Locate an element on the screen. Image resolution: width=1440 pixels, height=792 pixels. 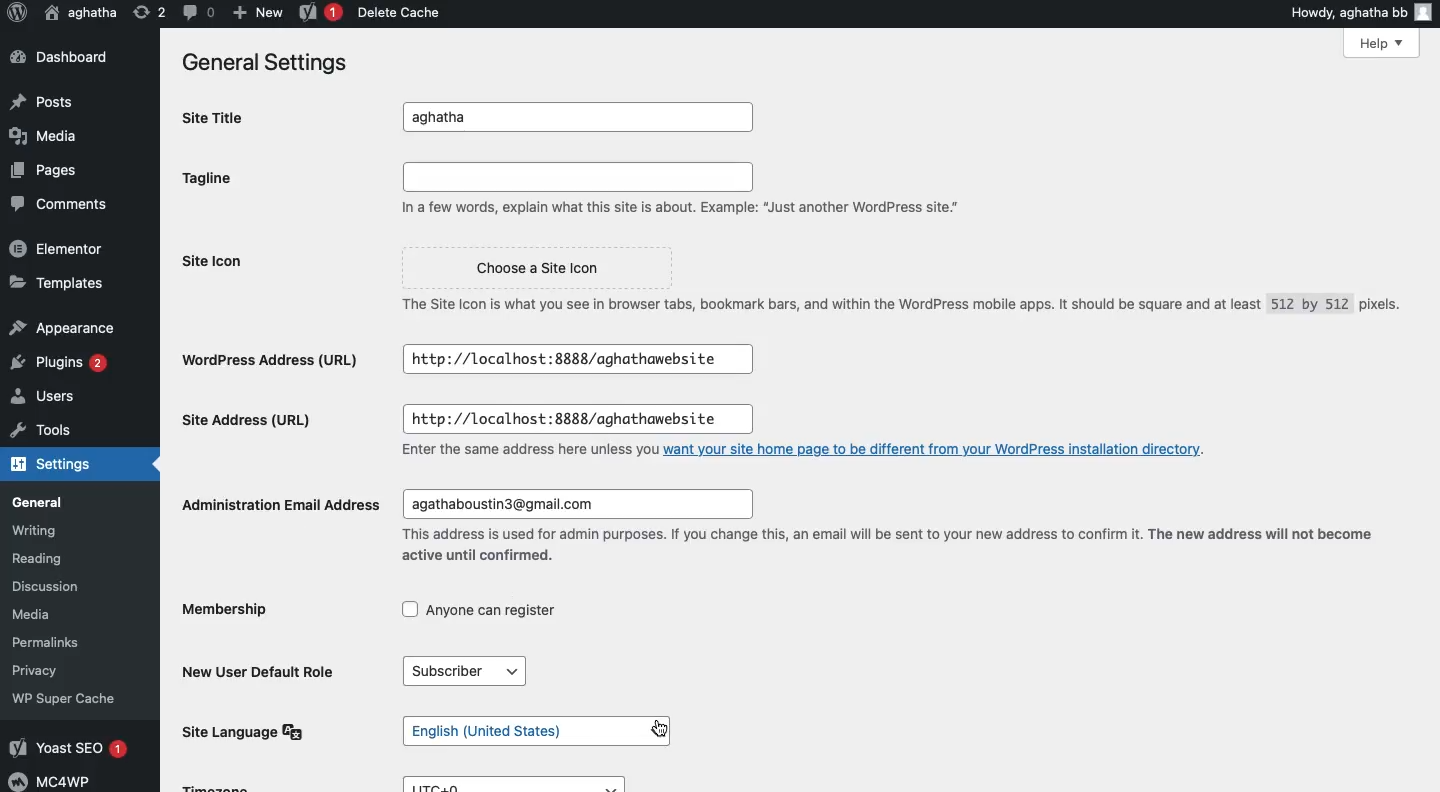
Settings is located at coordinates (49, 466).